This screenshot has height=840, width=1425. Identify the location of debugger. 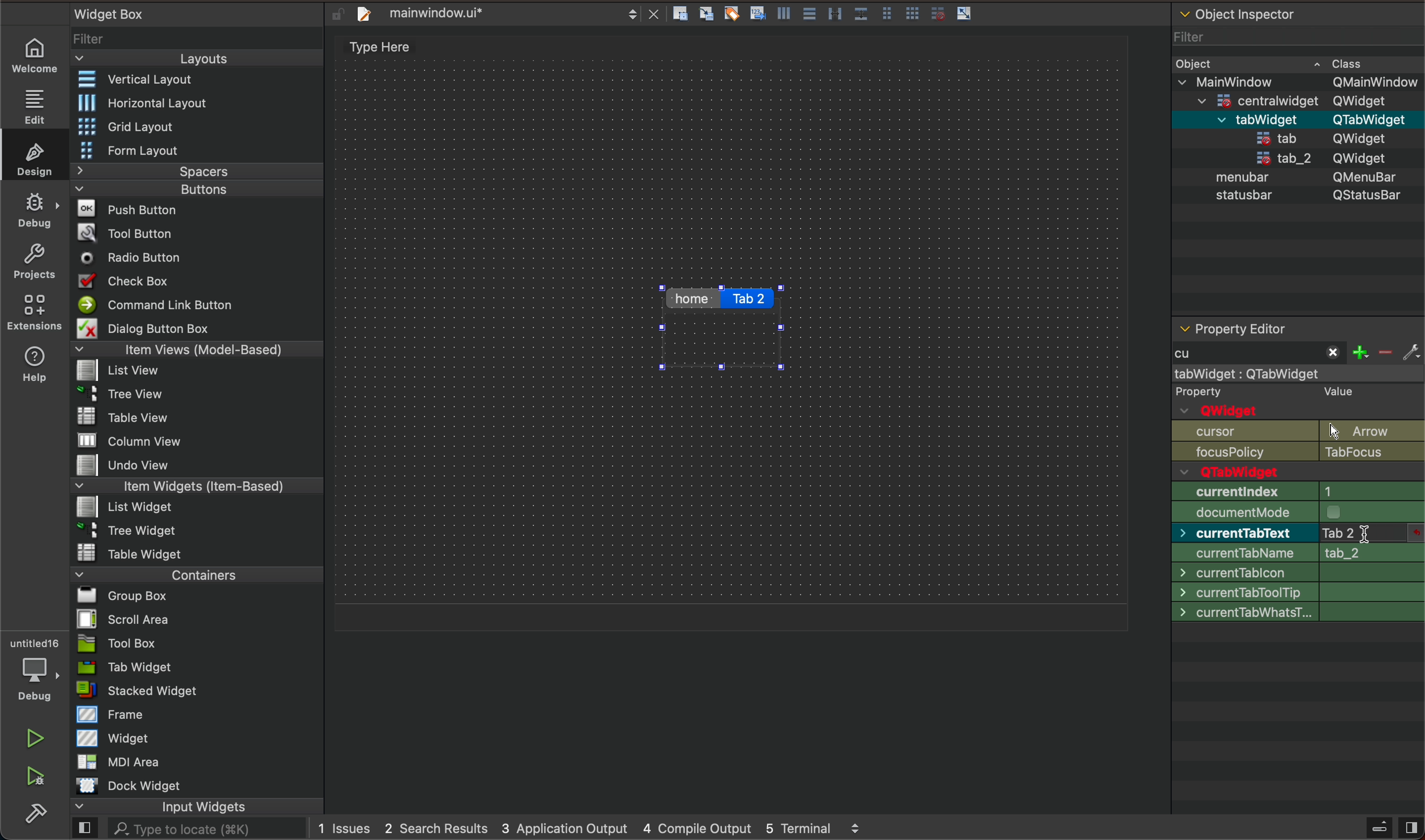
(32, 666).